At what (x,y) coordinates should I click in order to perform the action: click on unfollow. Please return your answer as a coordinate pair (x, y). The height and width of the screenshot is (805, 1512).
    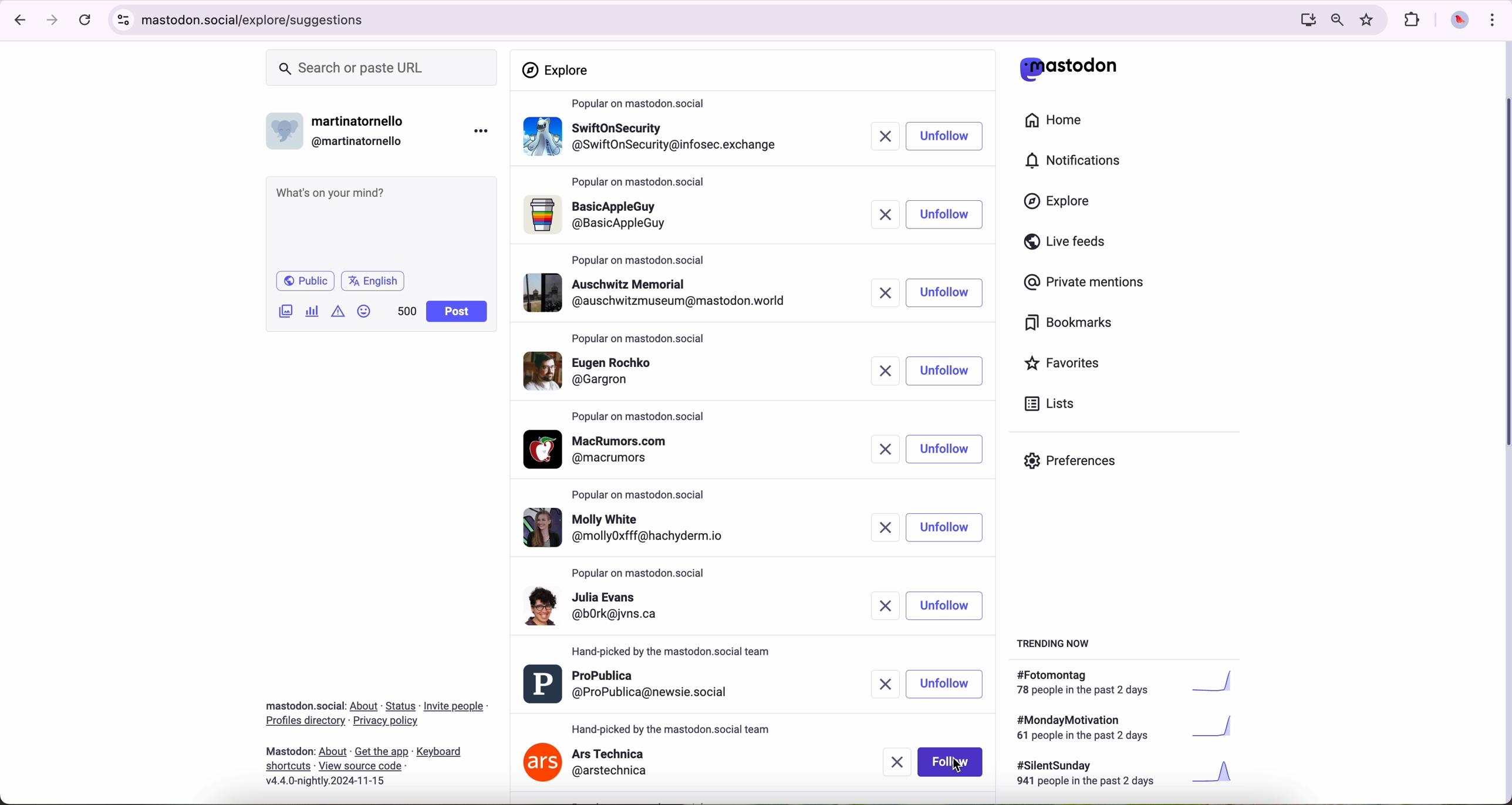
    Looking at the image, I should click on (945, 605).